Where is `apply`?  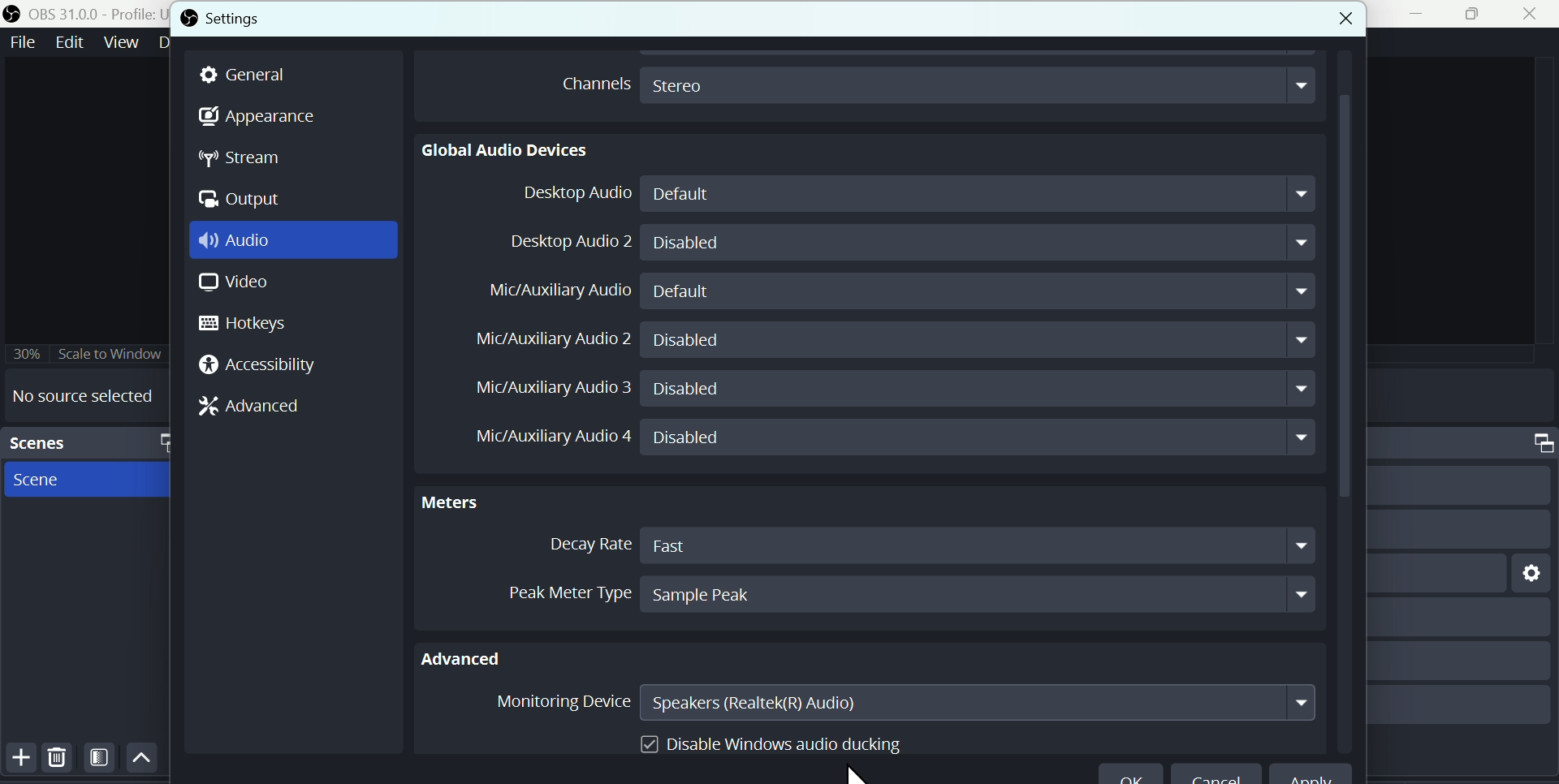
apply is located at coordinates (1312, 774).